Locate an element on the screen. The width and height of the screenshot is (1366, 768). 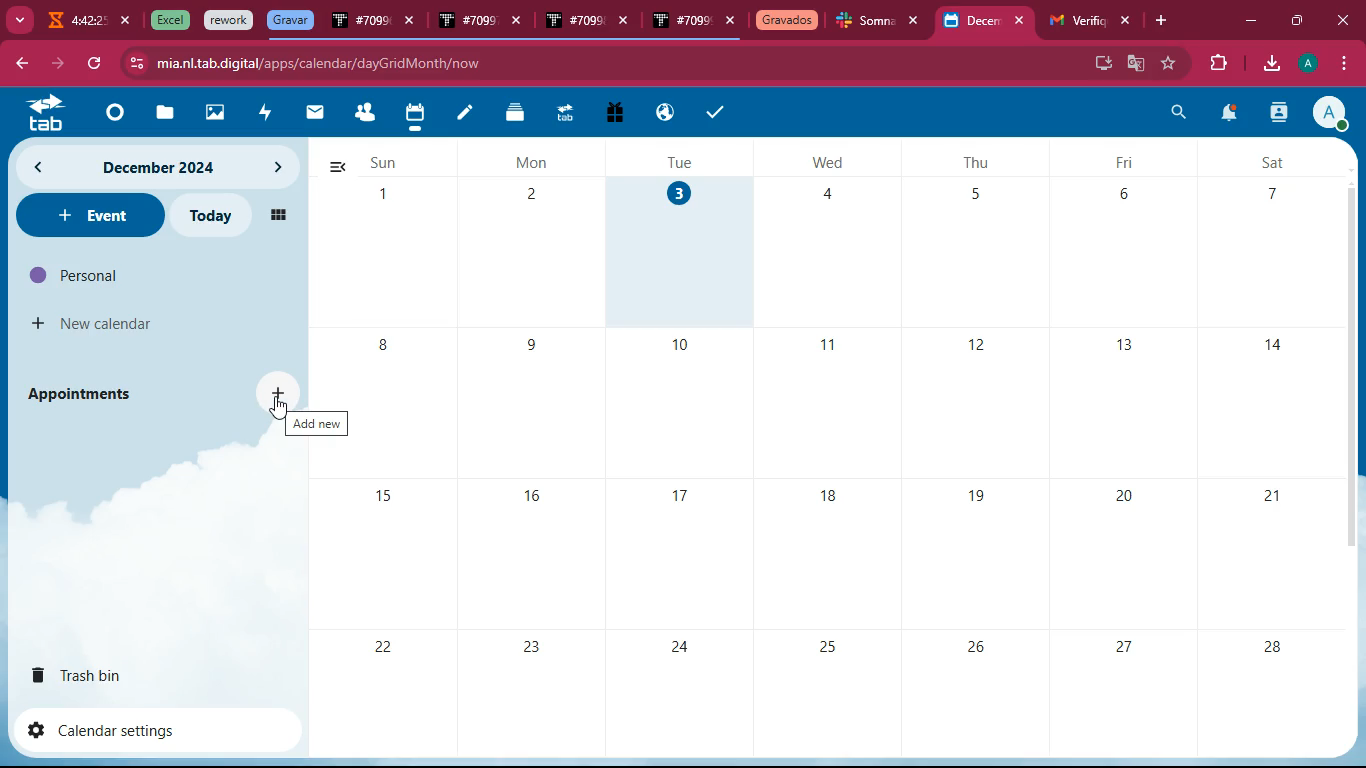
files is located at coordinates (517, 112).